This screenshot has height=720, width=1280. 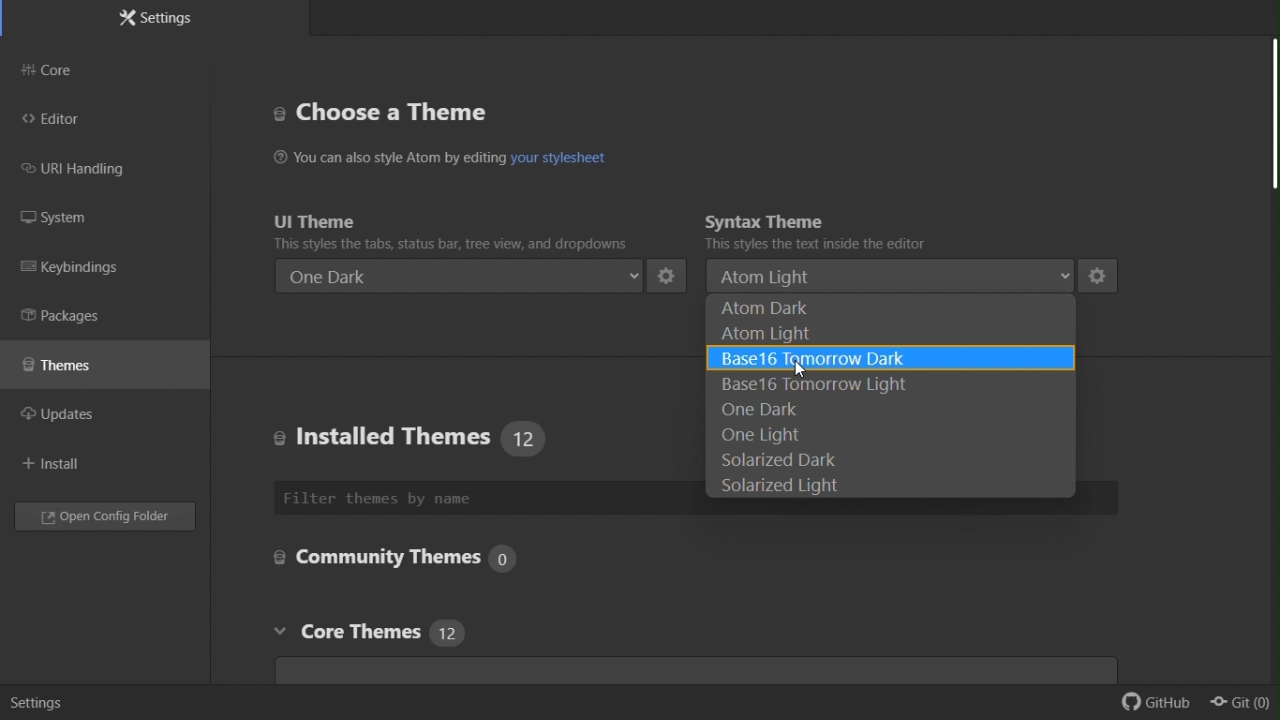 I want to click on settings, so click(x=1104, y=278).